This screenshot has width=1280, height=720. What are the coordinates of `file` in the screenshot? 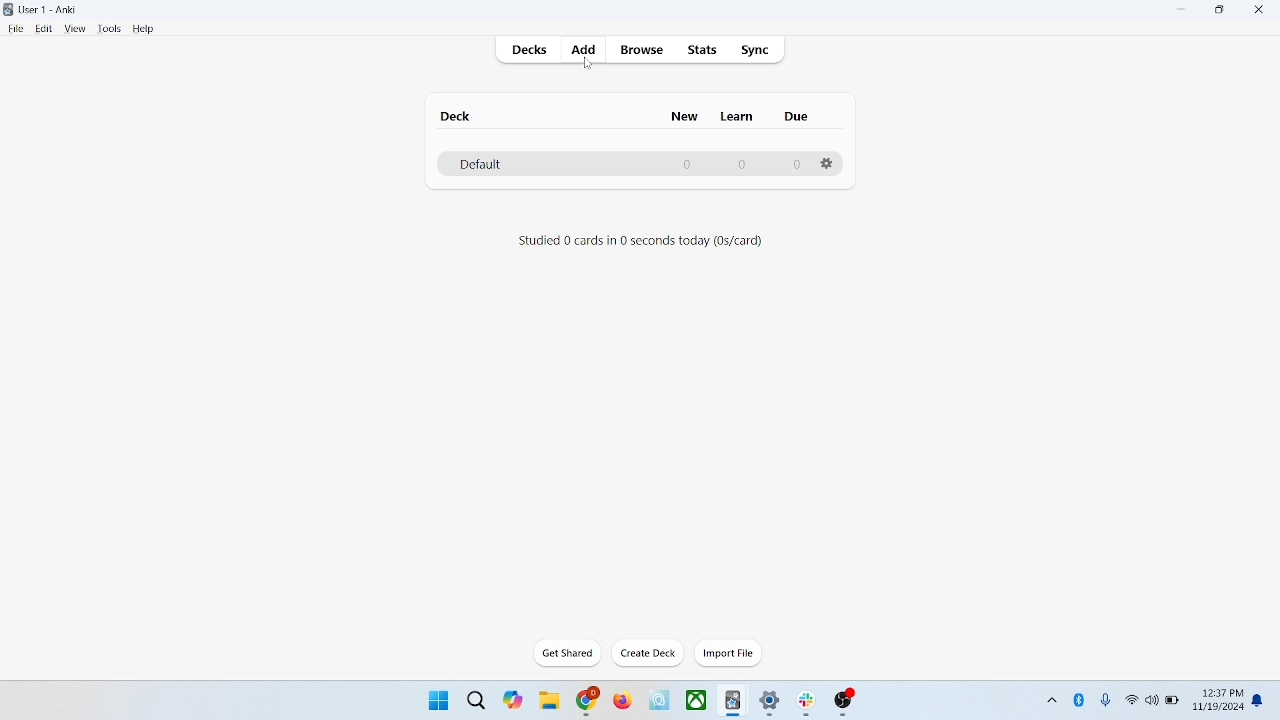 It's located at (15, 29).